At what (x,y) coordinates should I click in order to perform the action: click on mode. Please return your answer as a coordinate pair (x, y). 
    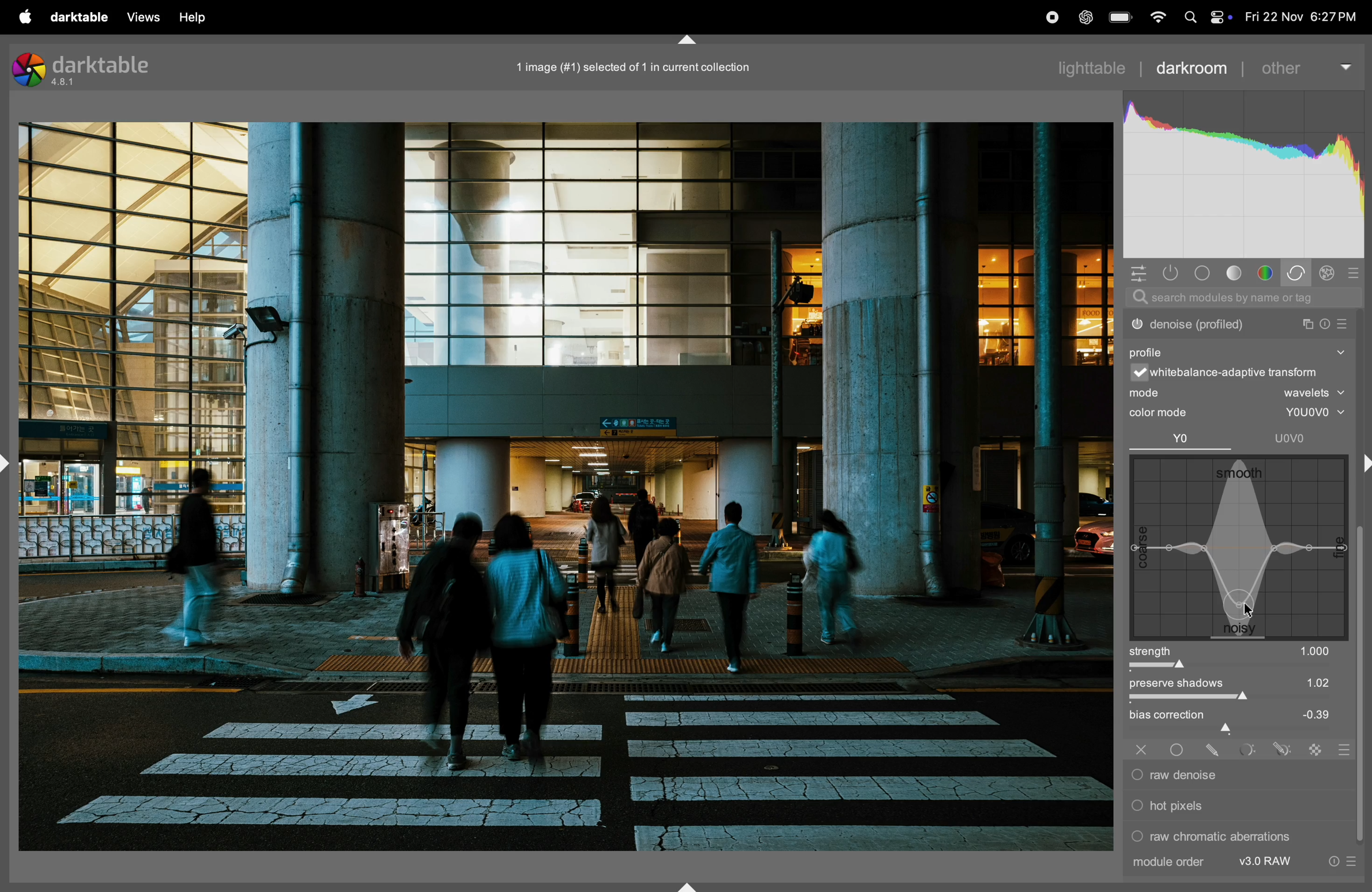
    Looking at the image, I should click on (1148, 393).